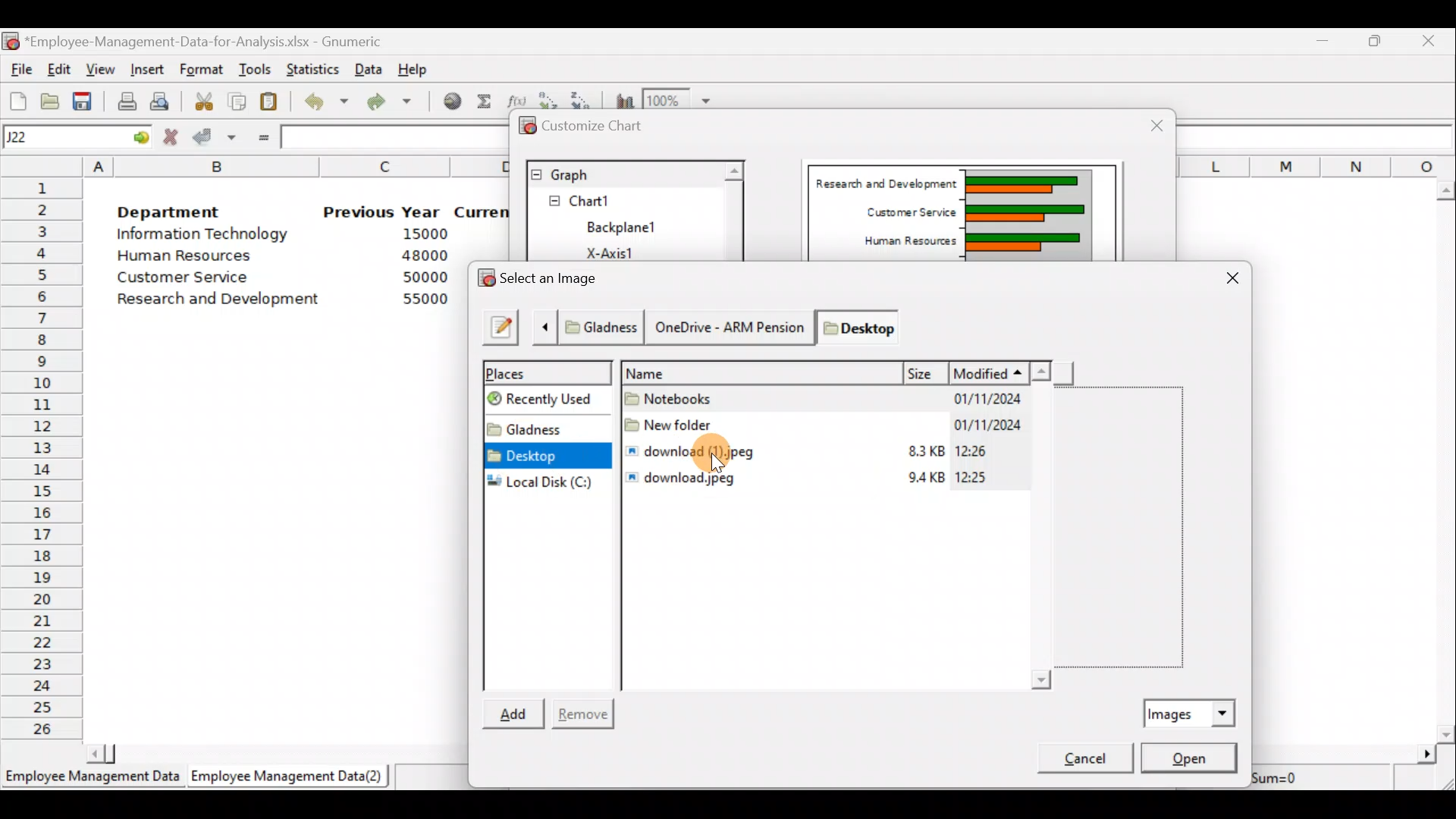 The width and height of the screenshot is (1456, 819). What do you see at coordinates (517, 99) in the screenshot?
I see `Edit a function in the current cell` at bounding box center [517, 99].